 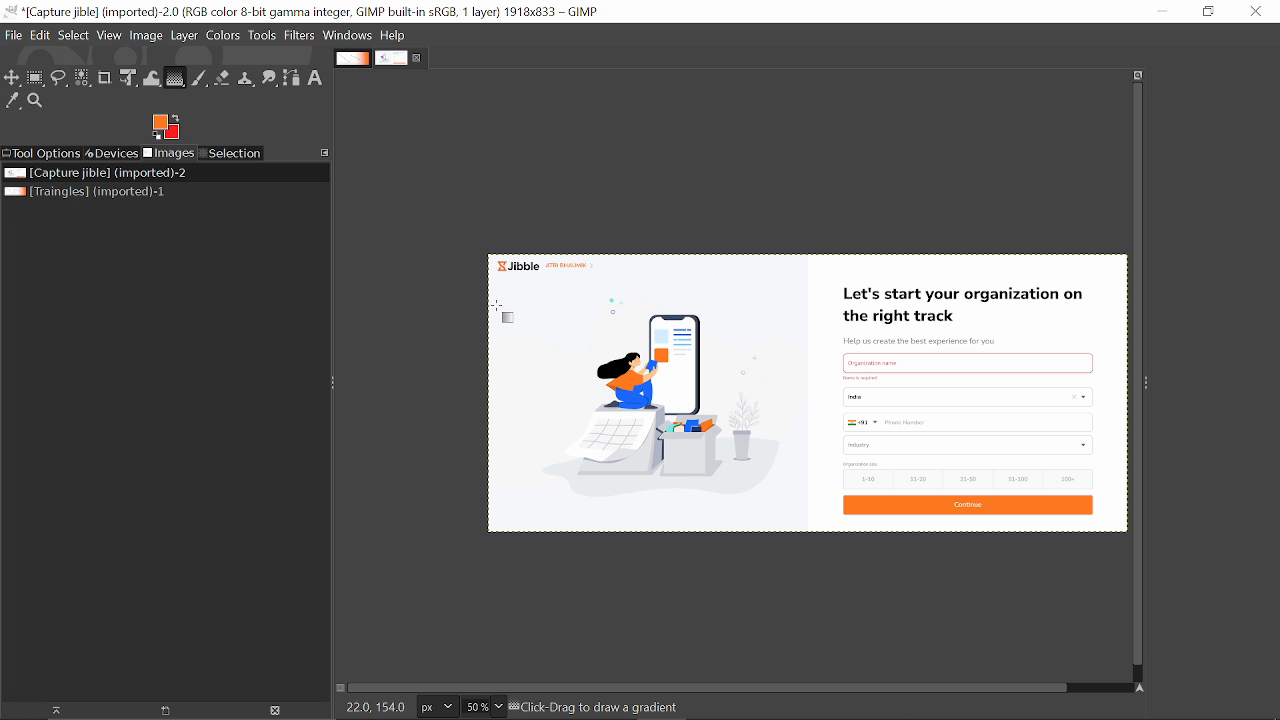 I want to click on Selection, so click(x=232, y=153).